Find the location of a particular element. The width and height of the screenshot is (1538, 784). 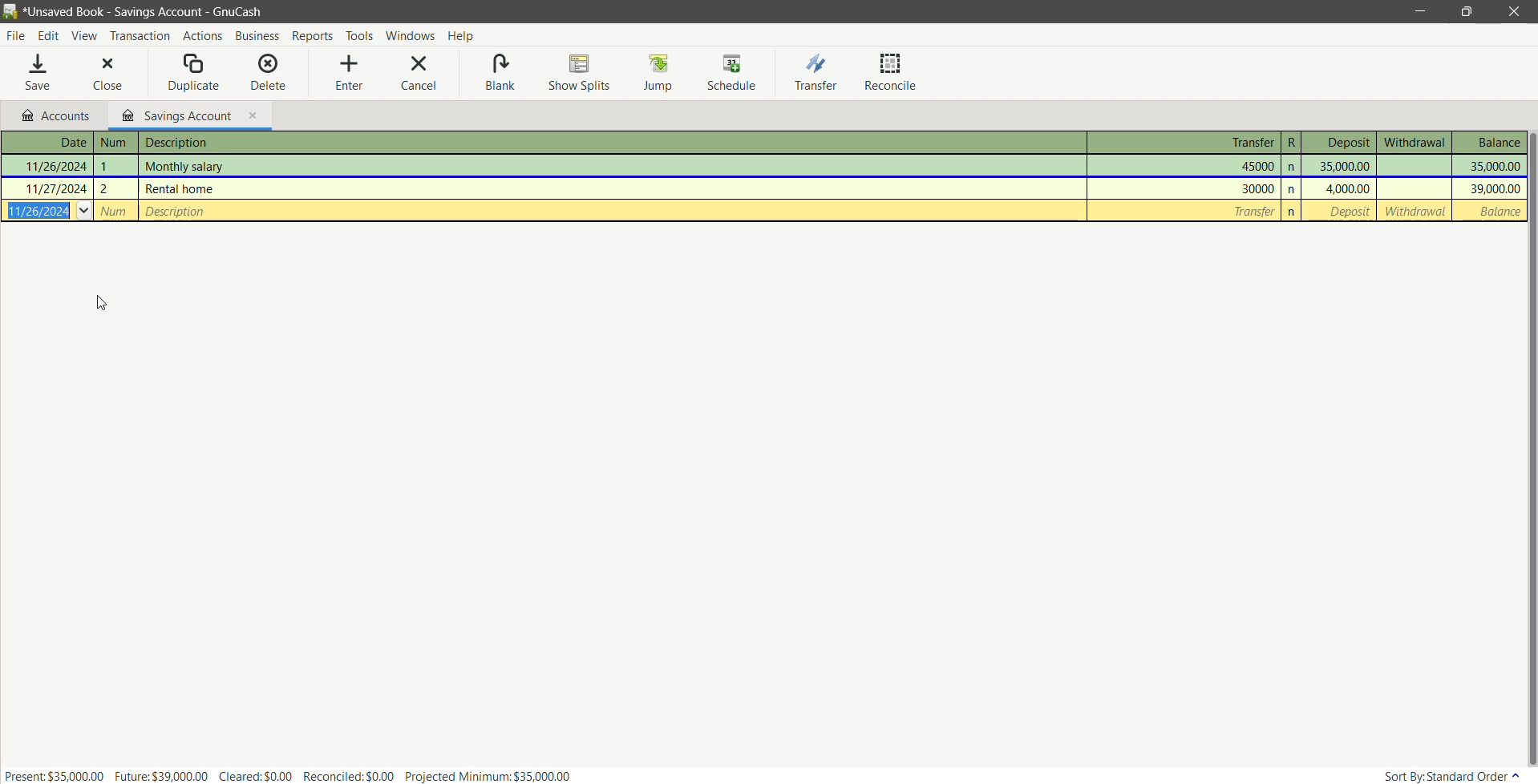

11/26/2024 is located at coordinates (45, 211).